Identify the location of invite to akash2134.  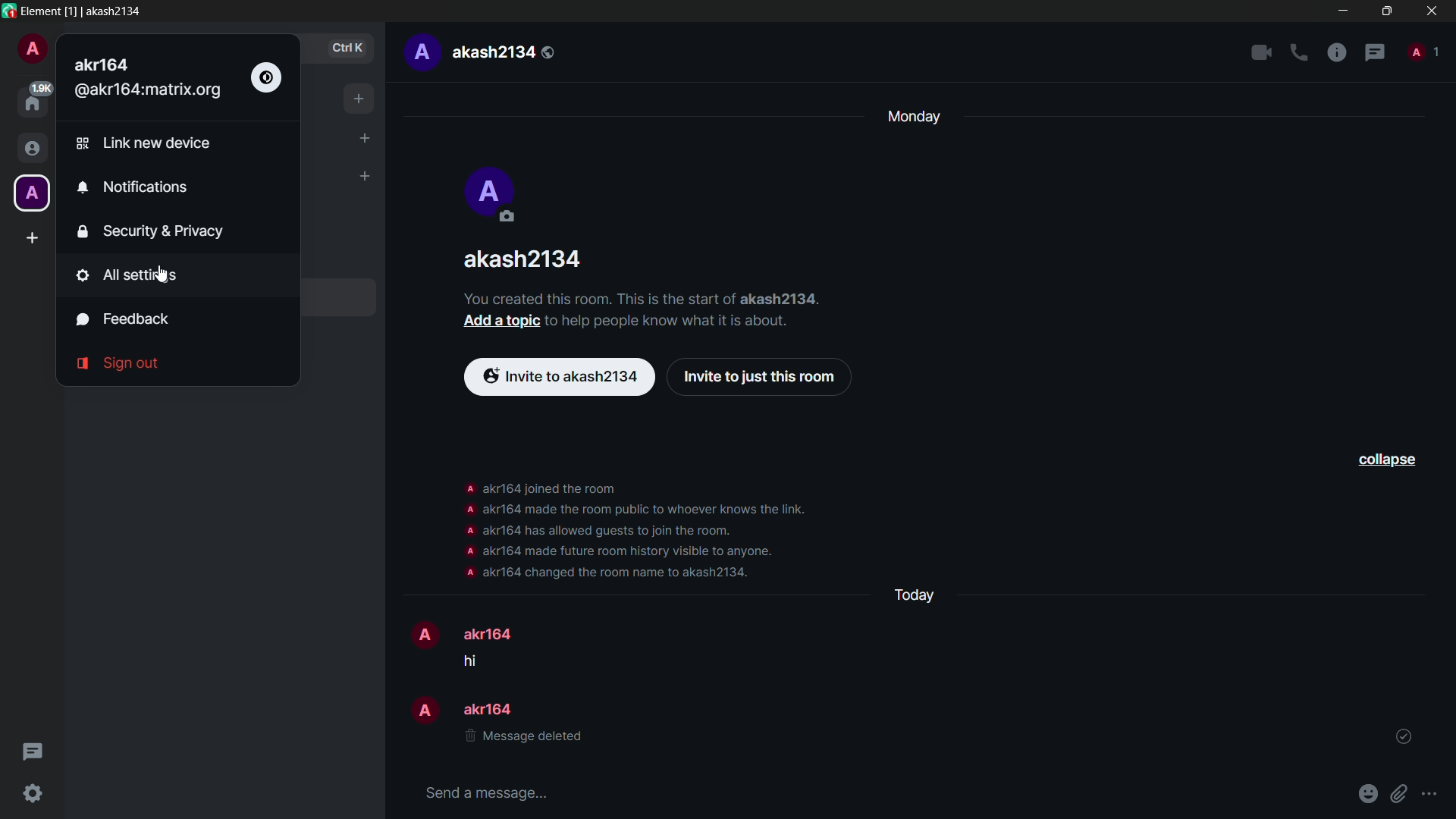
(560, 378).